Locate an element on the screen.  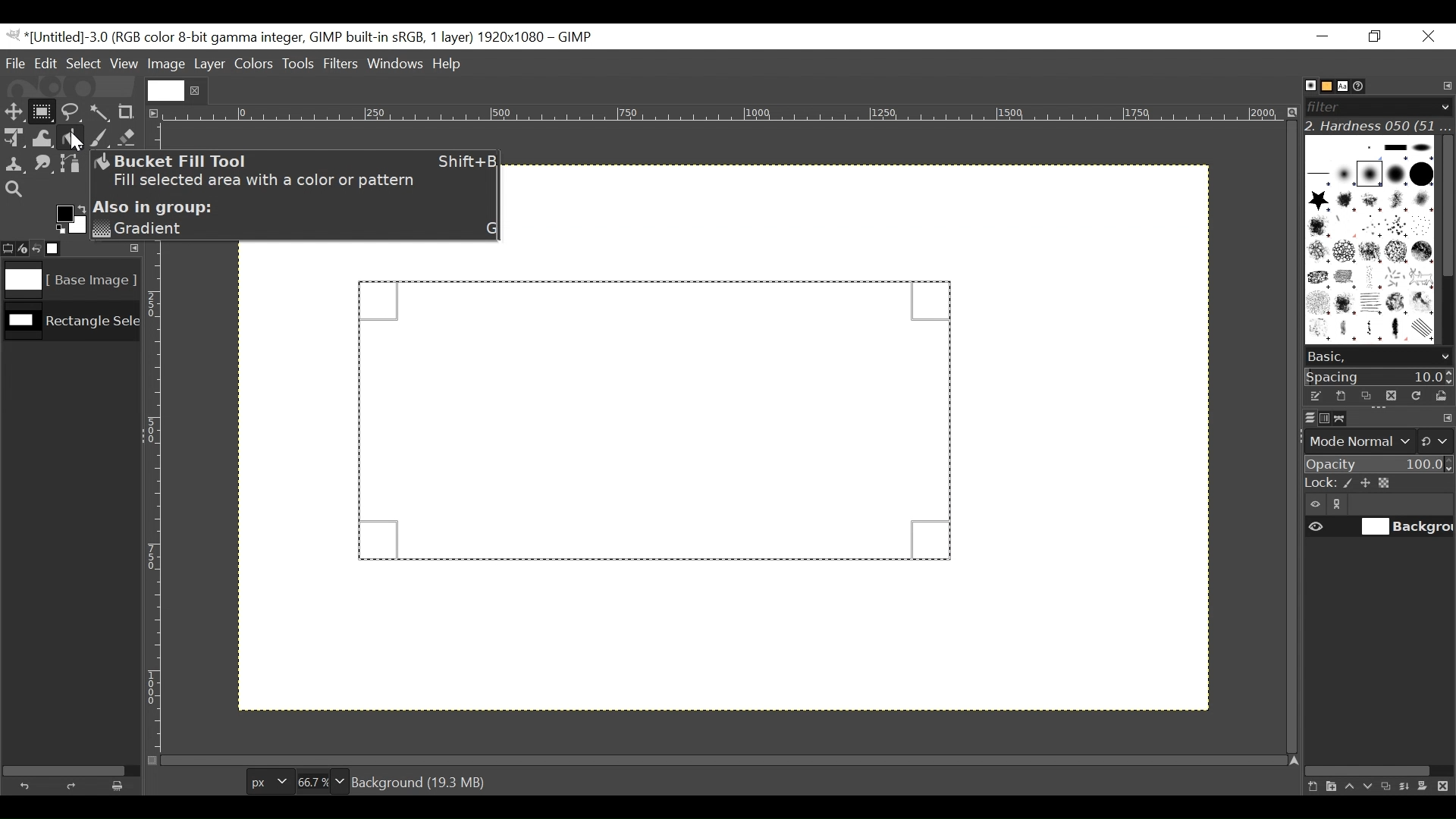
Vertical Ruler is located at coordinates (154, 495).